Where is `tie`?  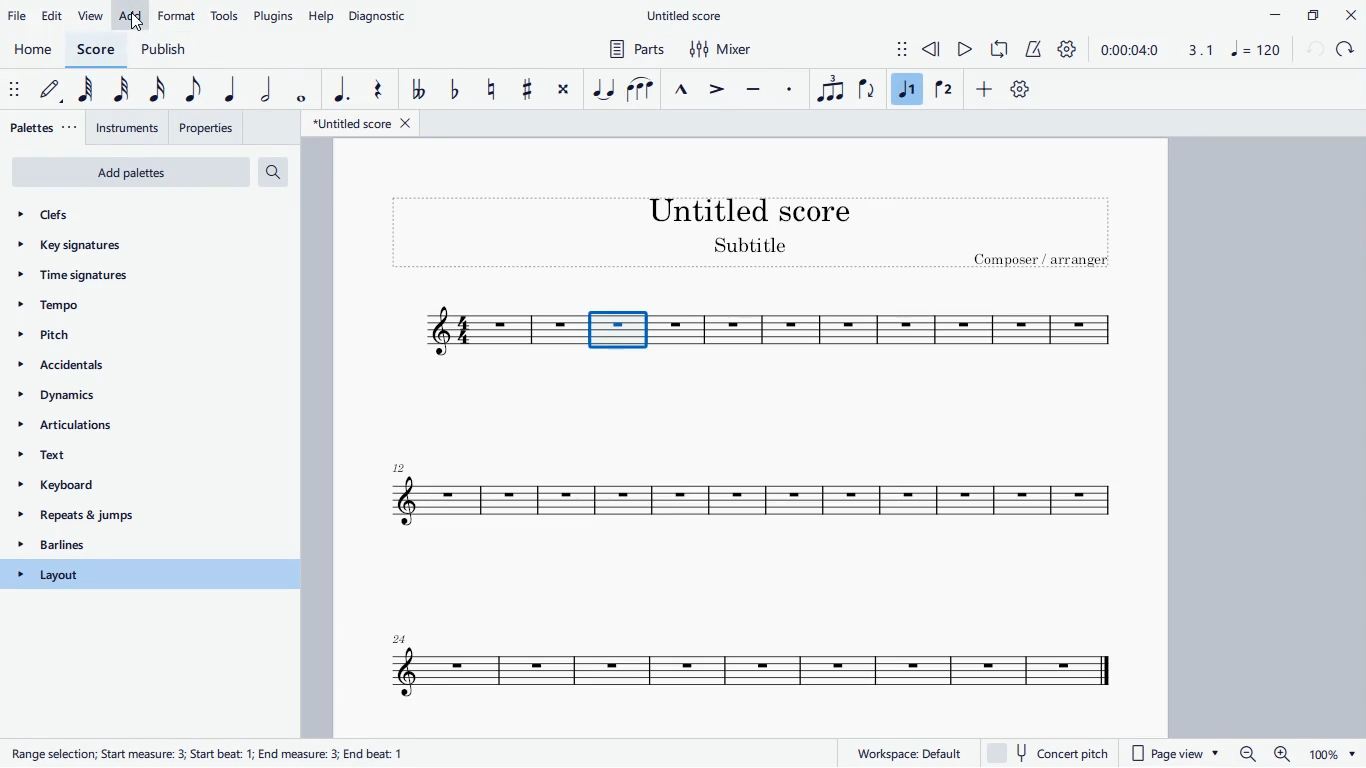 tie is located at coordinates (603, 88).